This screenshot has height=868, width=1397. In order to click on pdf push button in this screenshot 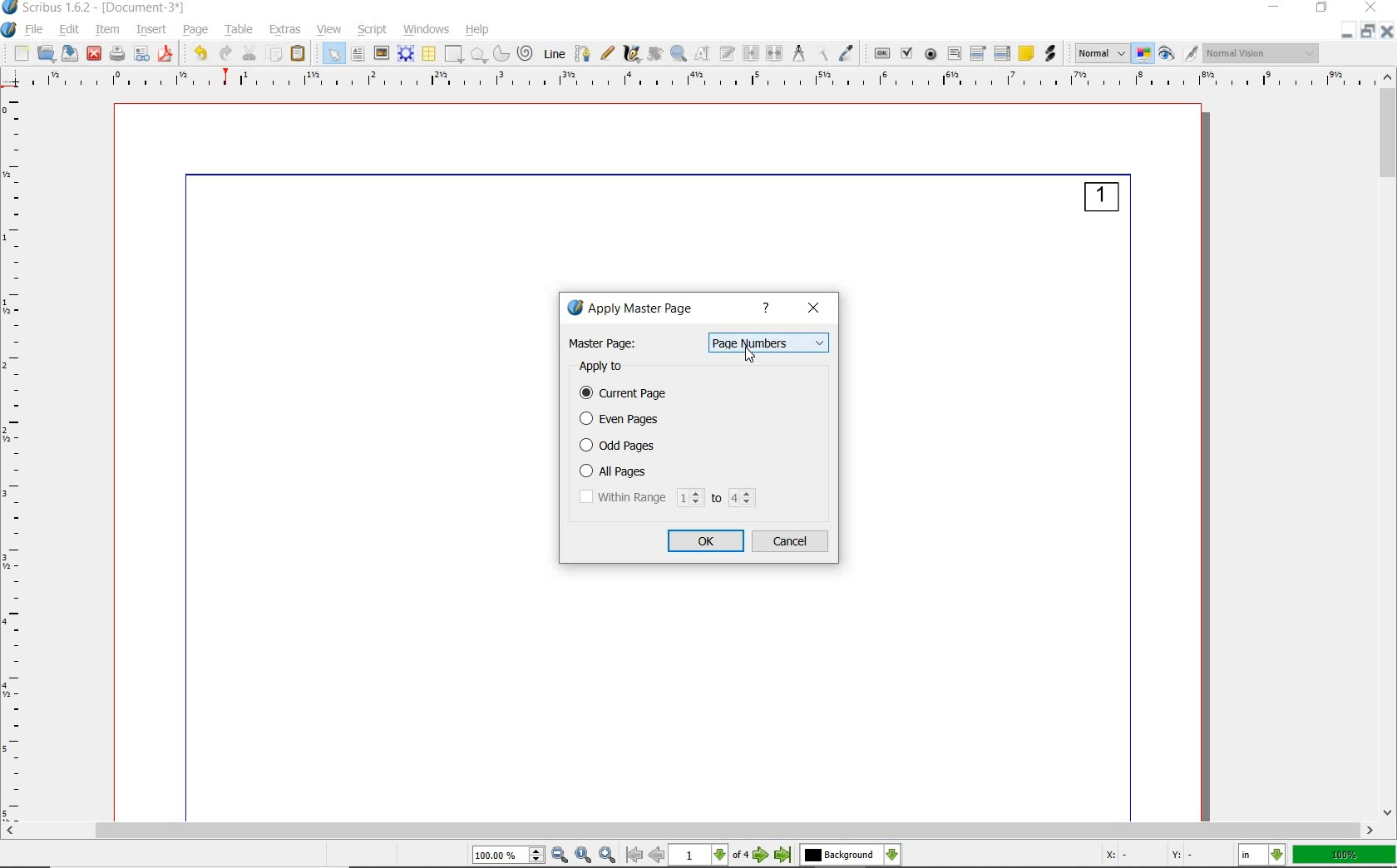, I will do `click(881, 52)`.